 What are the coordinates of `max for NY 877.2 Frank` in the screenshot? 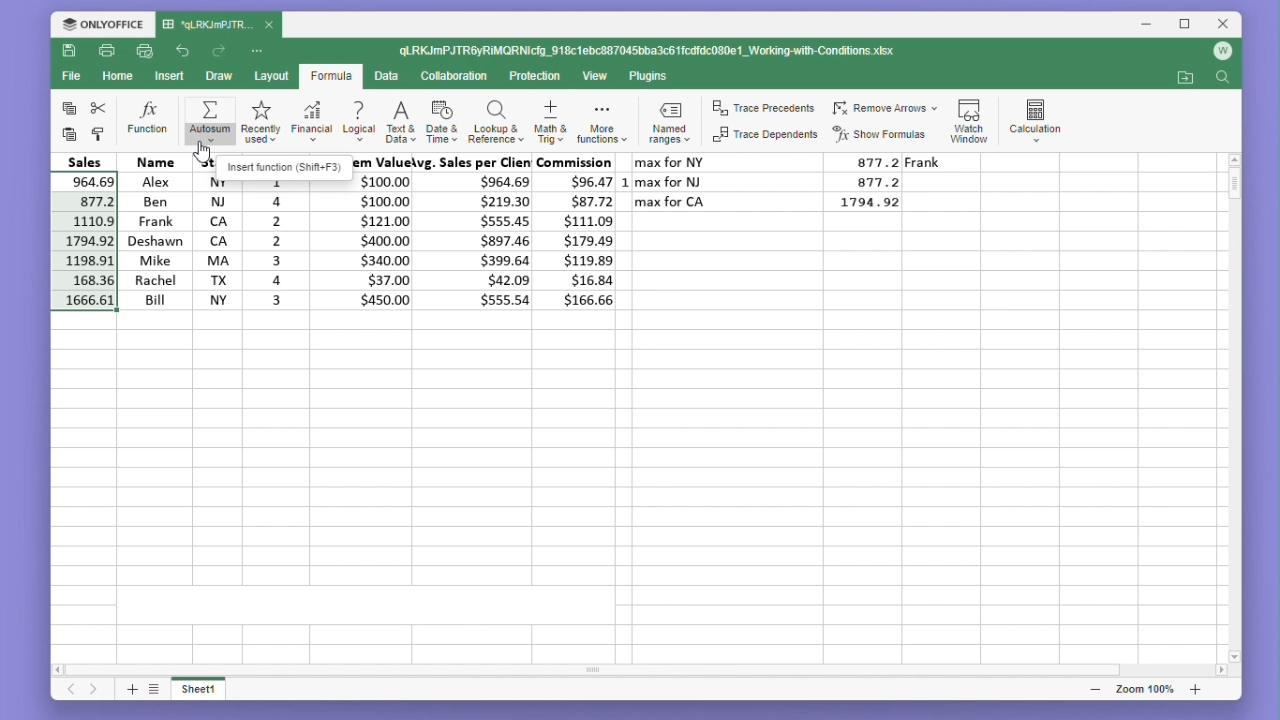 It's located at (795, 161).